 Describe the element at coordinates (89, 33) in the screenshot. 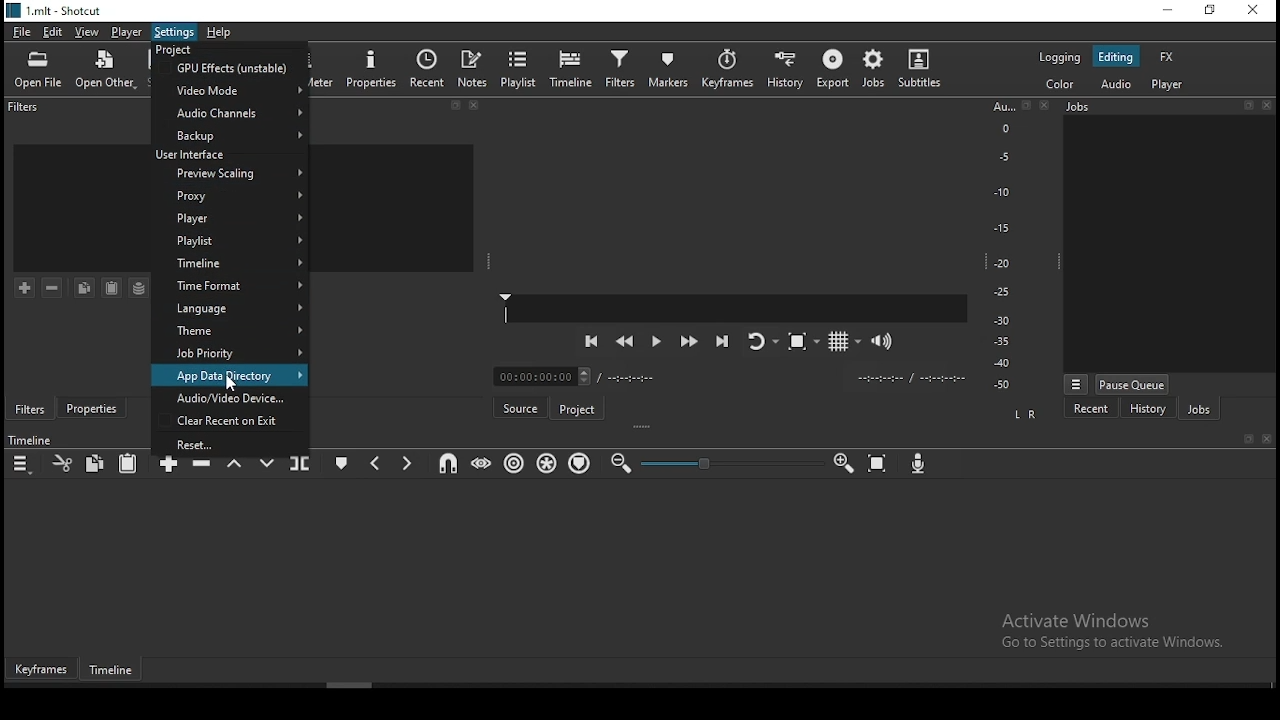

I see `view` at that location.